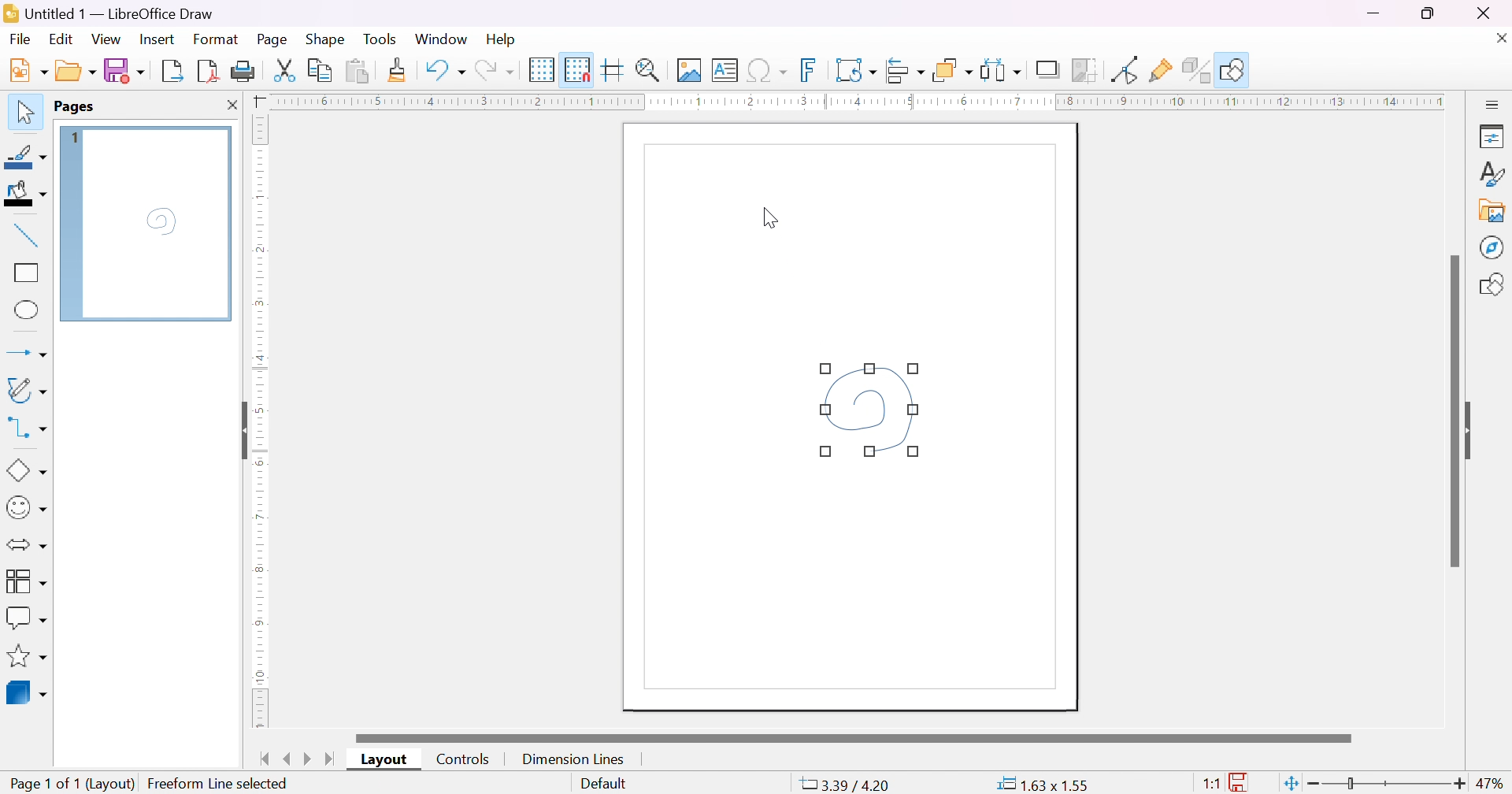  I want to click on crop image, so click(1084, 70).